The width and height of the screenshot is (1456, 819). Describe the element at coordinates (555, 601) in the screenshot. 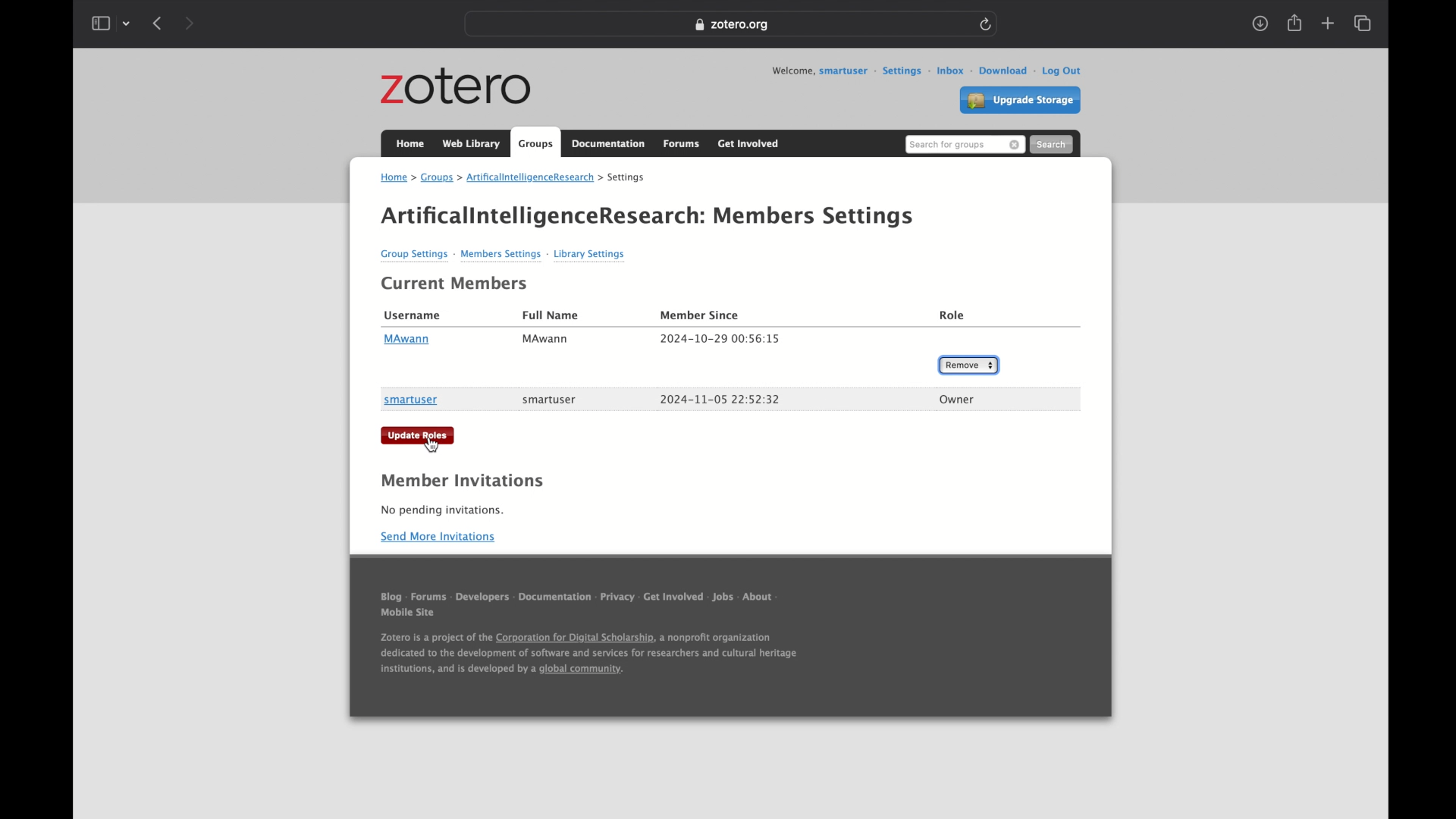

I see `documentation` at that location.